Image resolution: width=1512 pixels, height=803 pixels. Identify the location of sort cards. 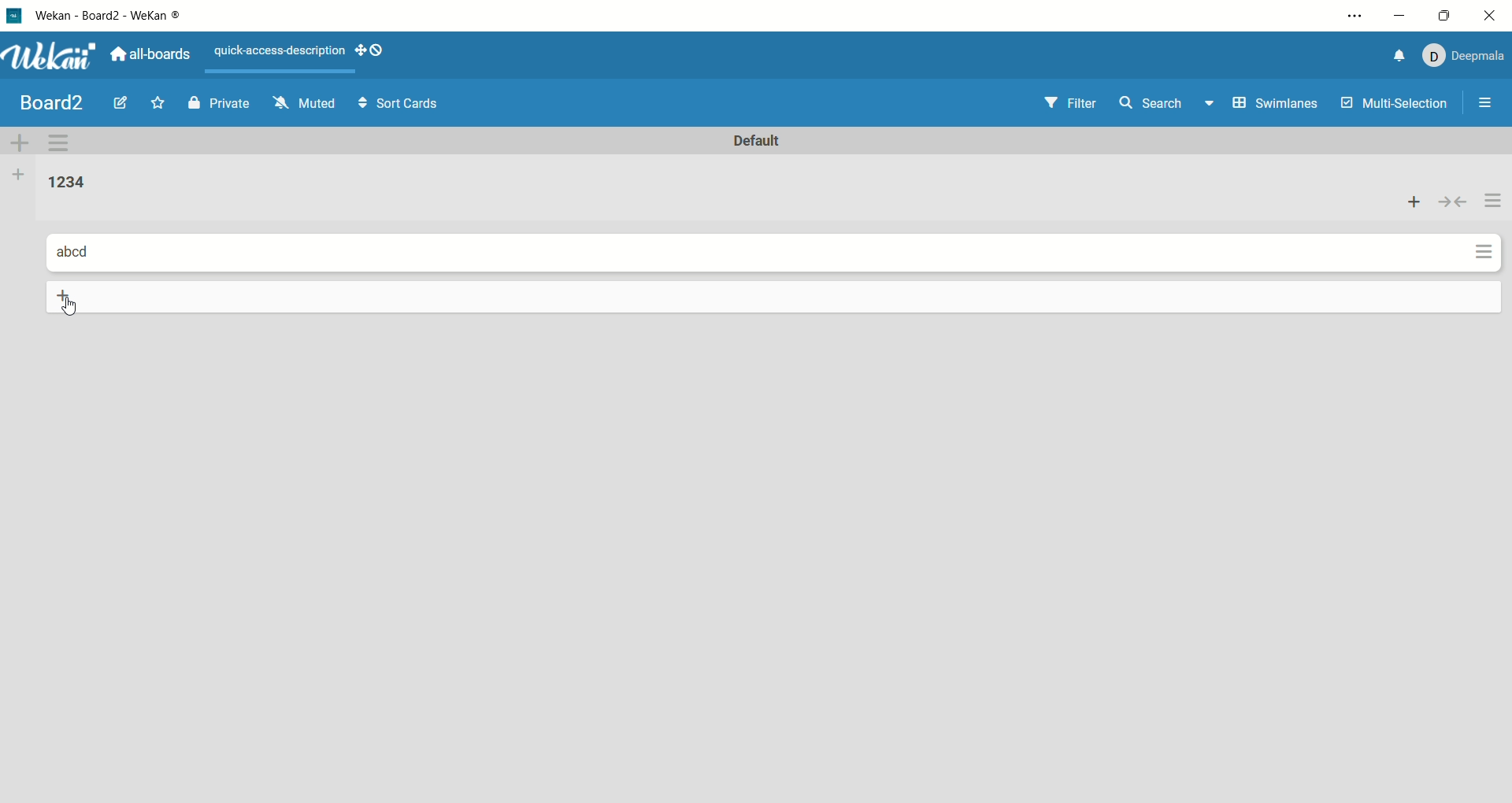
(408, 104).